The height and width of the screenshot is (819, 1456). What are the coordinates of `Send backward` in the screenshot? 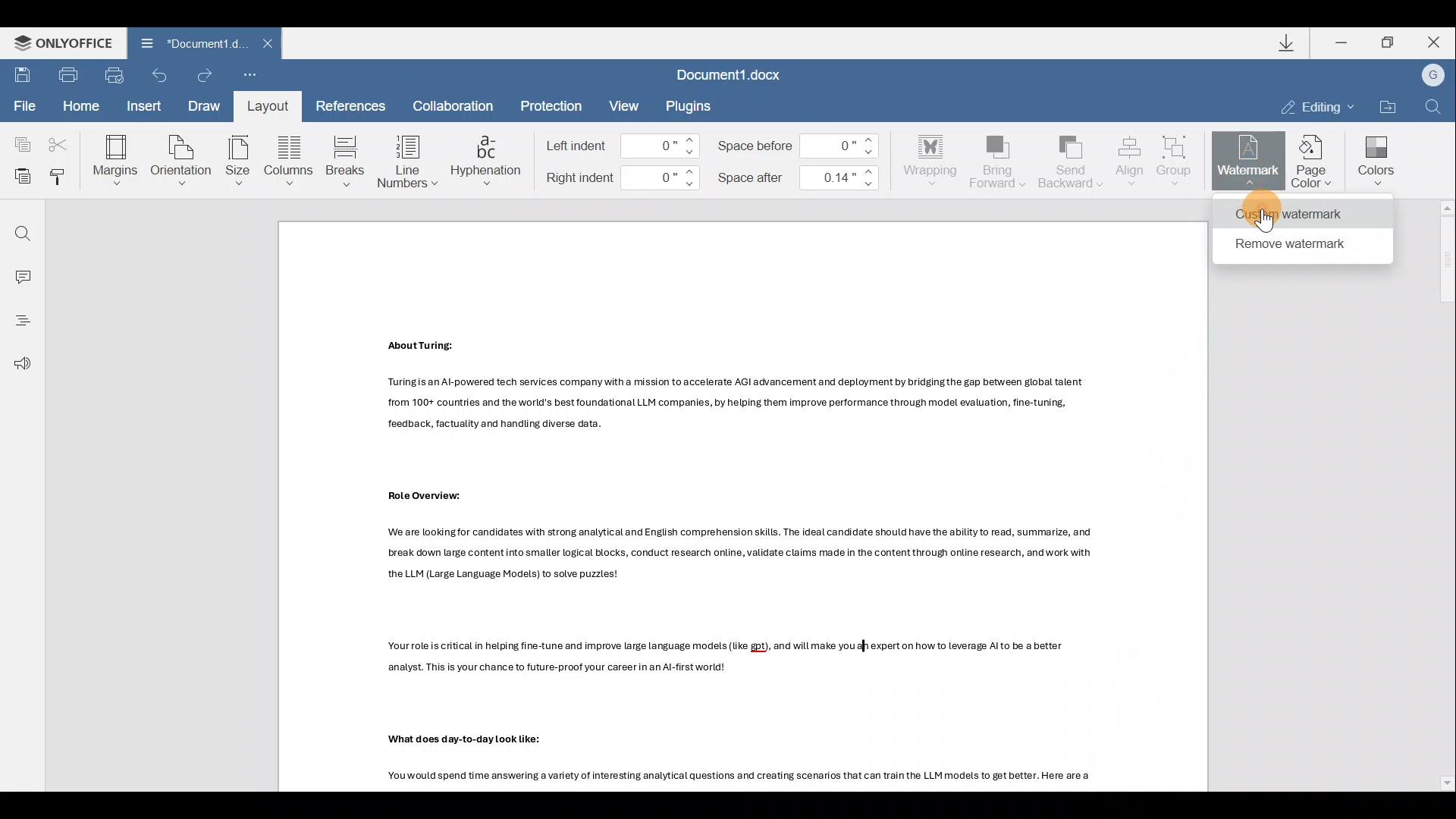 It's located at (1072, 160).